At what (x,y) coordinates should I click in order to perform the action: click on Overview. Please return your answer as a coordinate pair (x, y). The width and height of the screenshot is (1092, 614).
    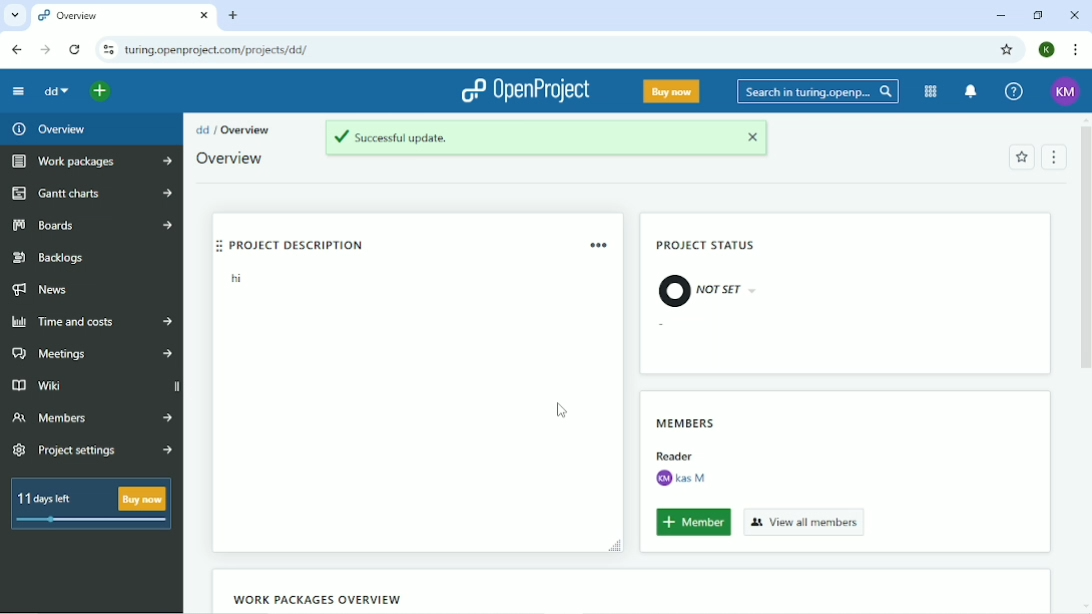
    Looking at the image, I should click on (246, 130).